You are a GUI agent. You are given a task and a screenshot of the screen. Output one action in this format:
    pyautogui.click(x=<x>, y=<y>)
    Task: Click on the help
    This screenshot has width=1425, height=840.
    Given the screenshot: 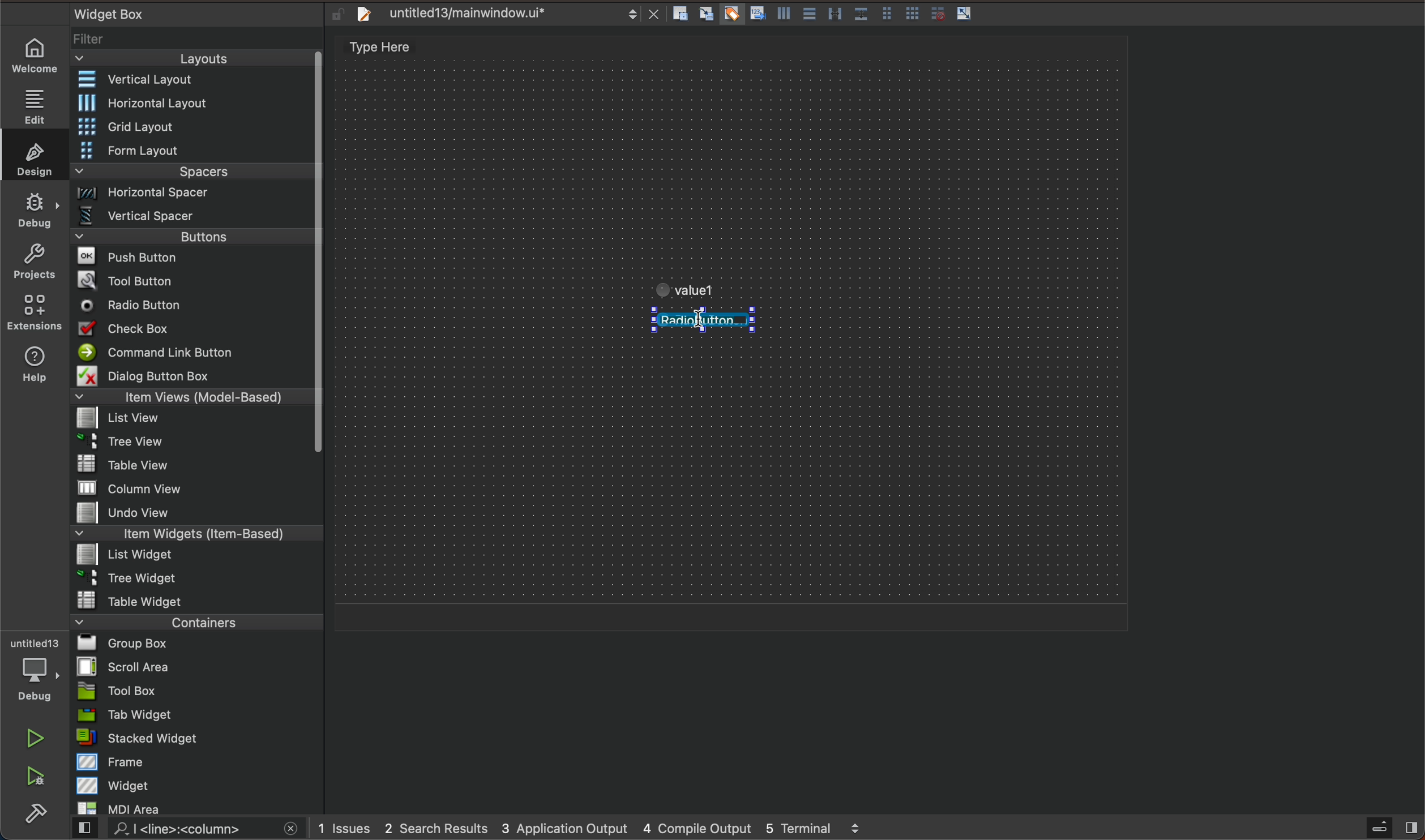 What is the action you would take?
    pyautogui.click(x=32, y=367)
    